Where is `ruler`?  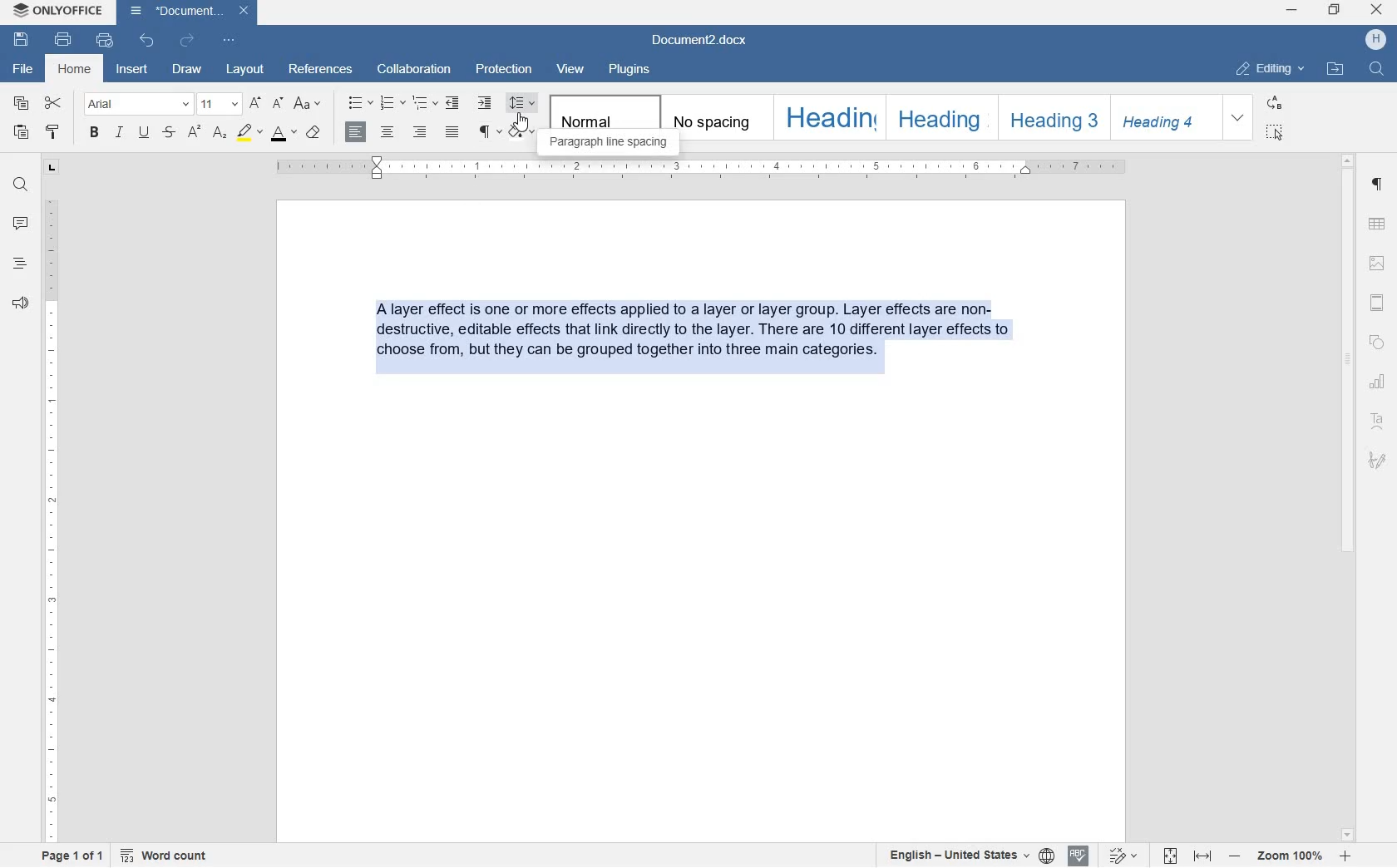 ruler is located at coordinates (51, 516).